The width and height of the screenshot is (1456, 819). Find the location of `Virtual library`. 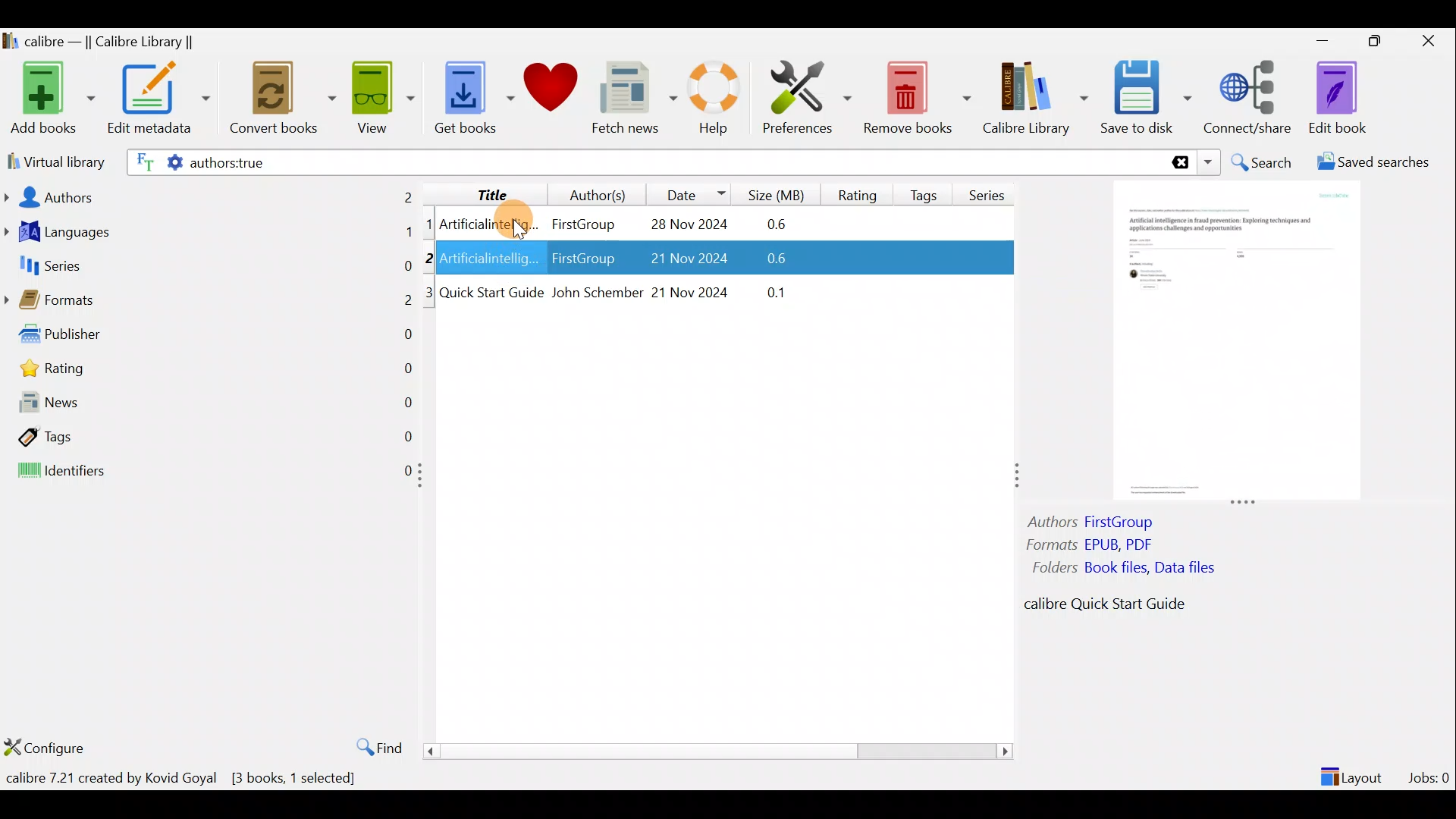

Virtual library is located at coordinates (53, 160).